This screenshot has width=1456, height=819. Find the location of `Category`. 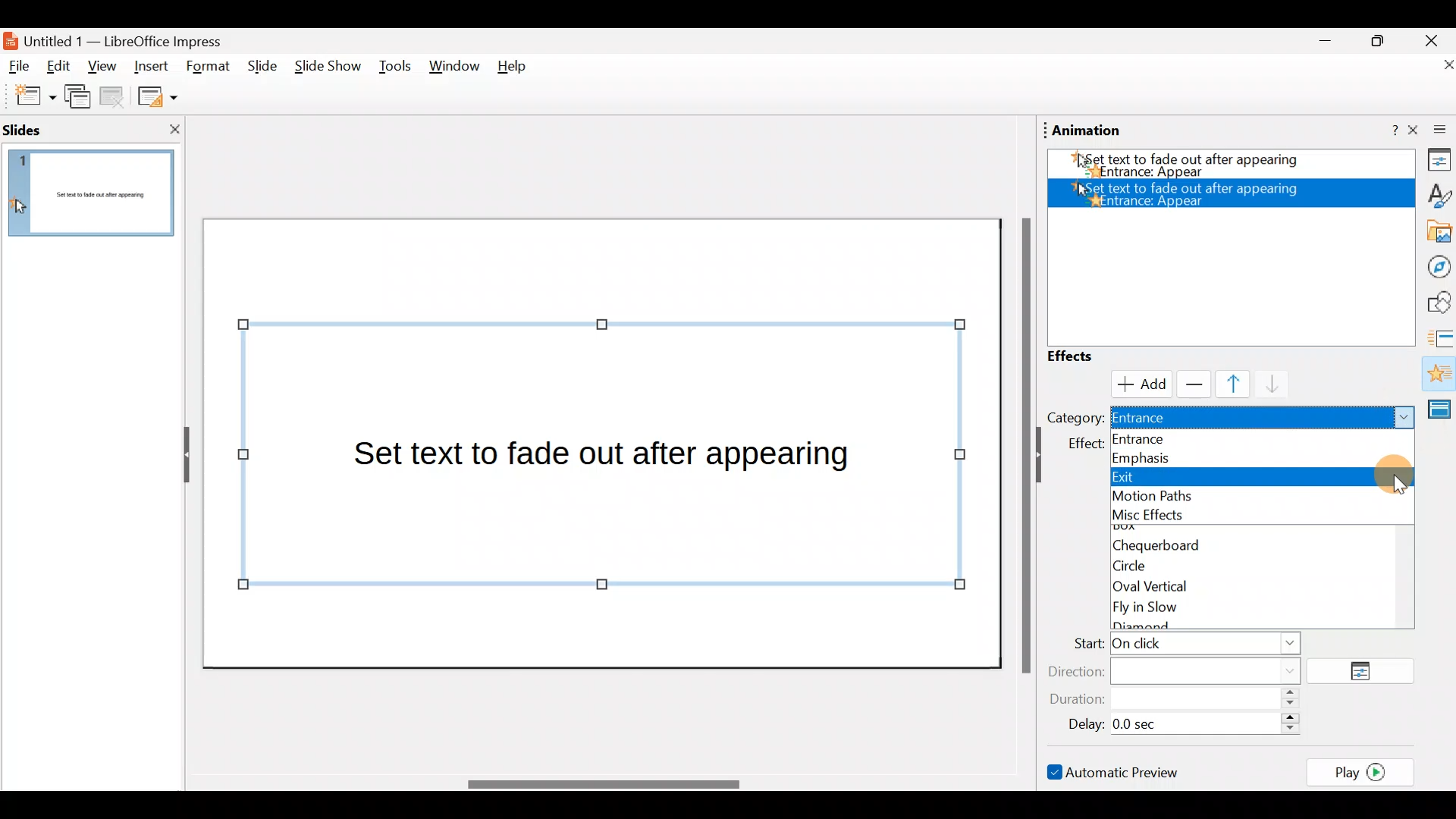

Category is located at coordinates (1075, 417).